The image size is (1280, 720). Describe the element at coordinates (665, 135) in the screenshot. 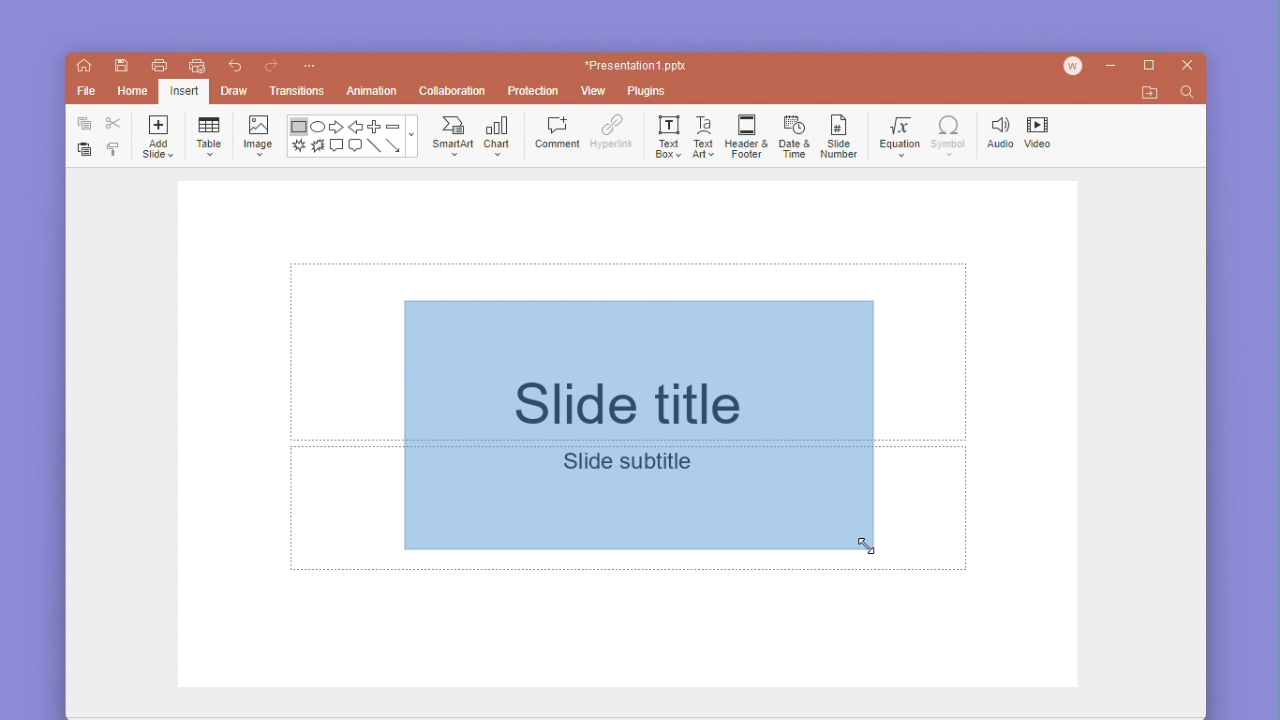

I see `text box` at that location.